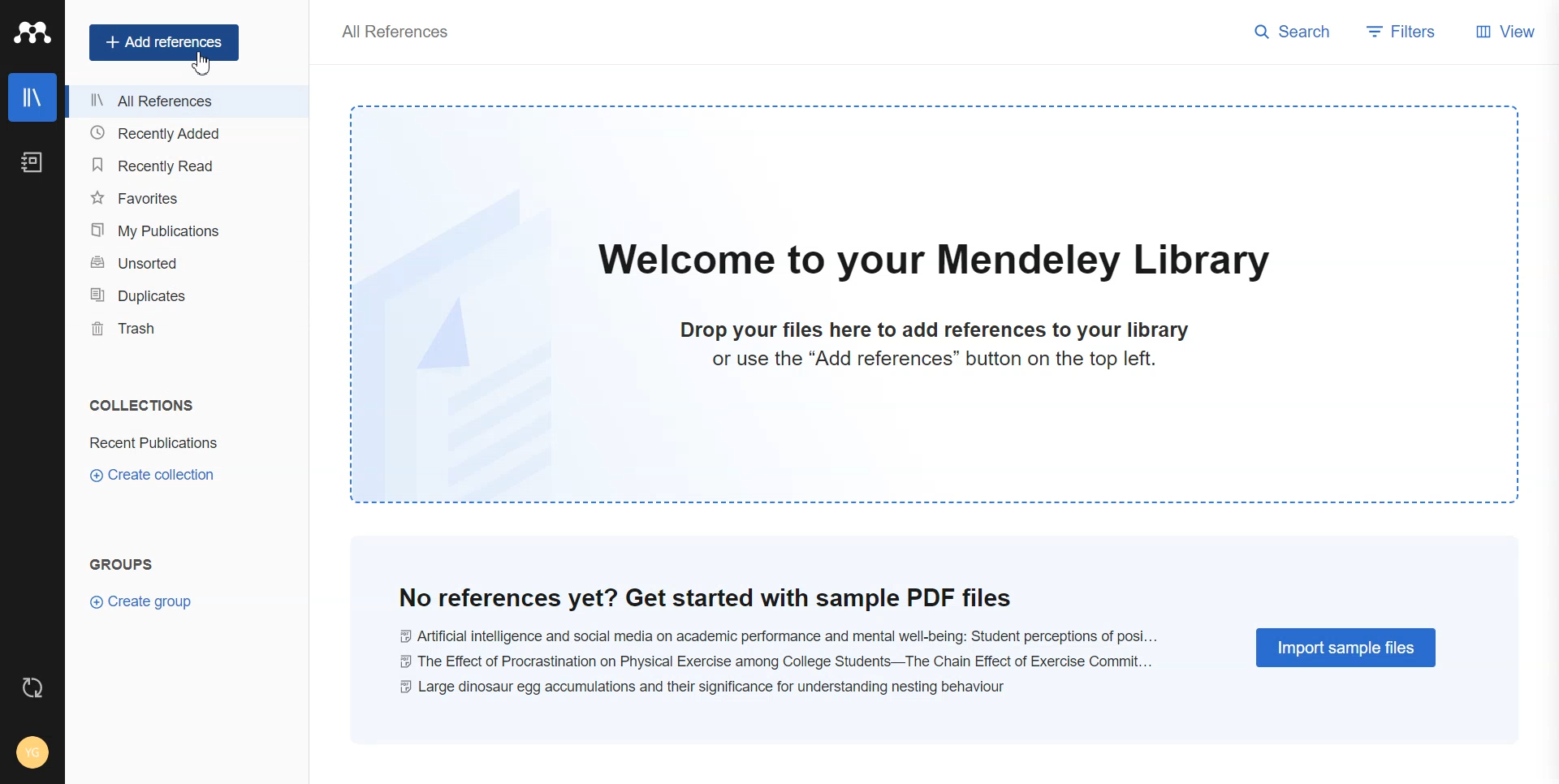  I want to click on image doc, so click(463, 346).